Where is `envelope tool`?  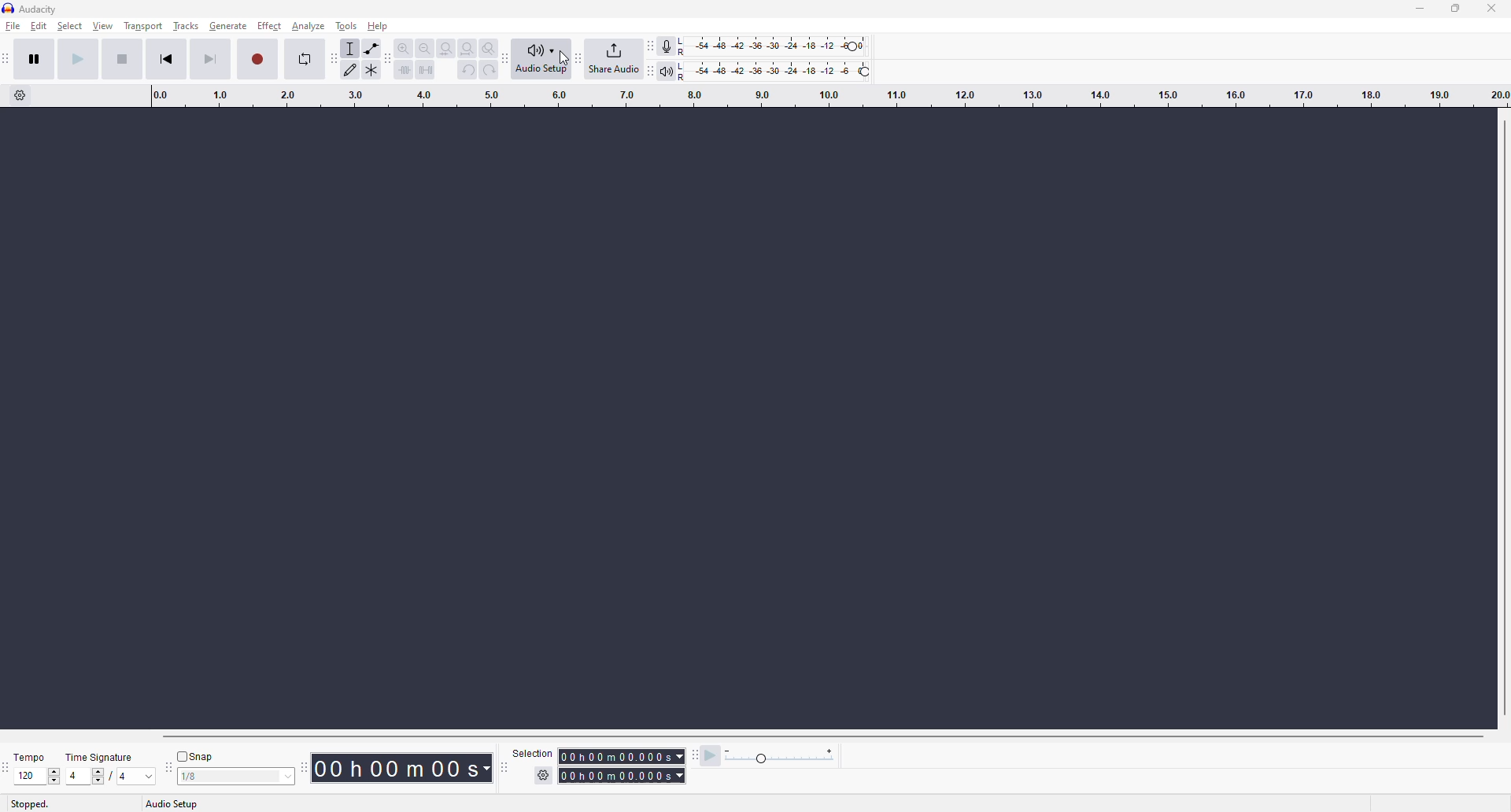 envelope tool is located at coordinates (371, 49).